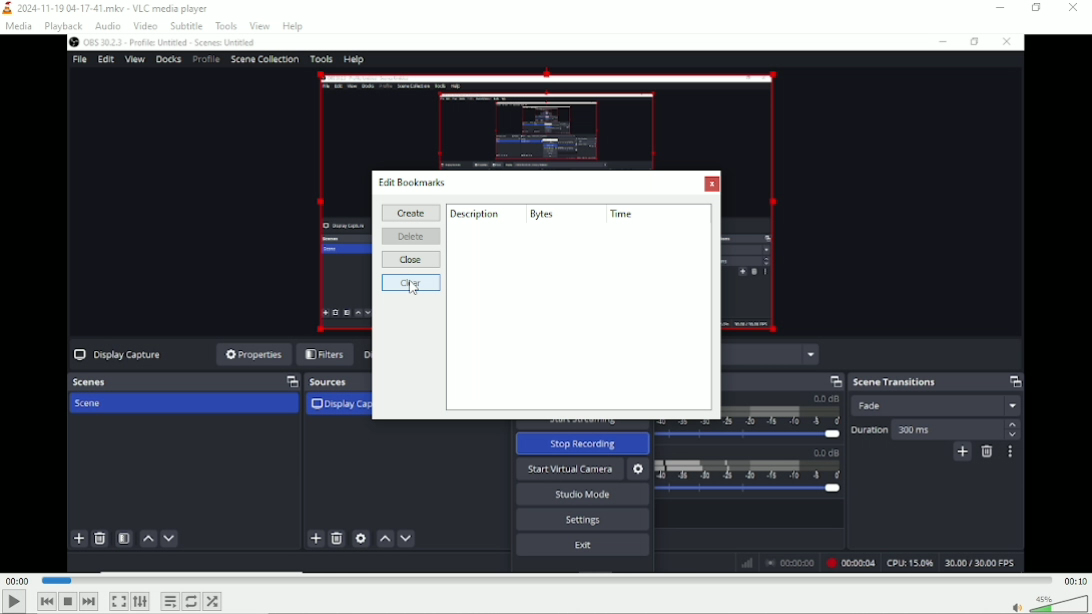 The image size is (1092, 614). I want to click on 00:00, so click(18, 581).